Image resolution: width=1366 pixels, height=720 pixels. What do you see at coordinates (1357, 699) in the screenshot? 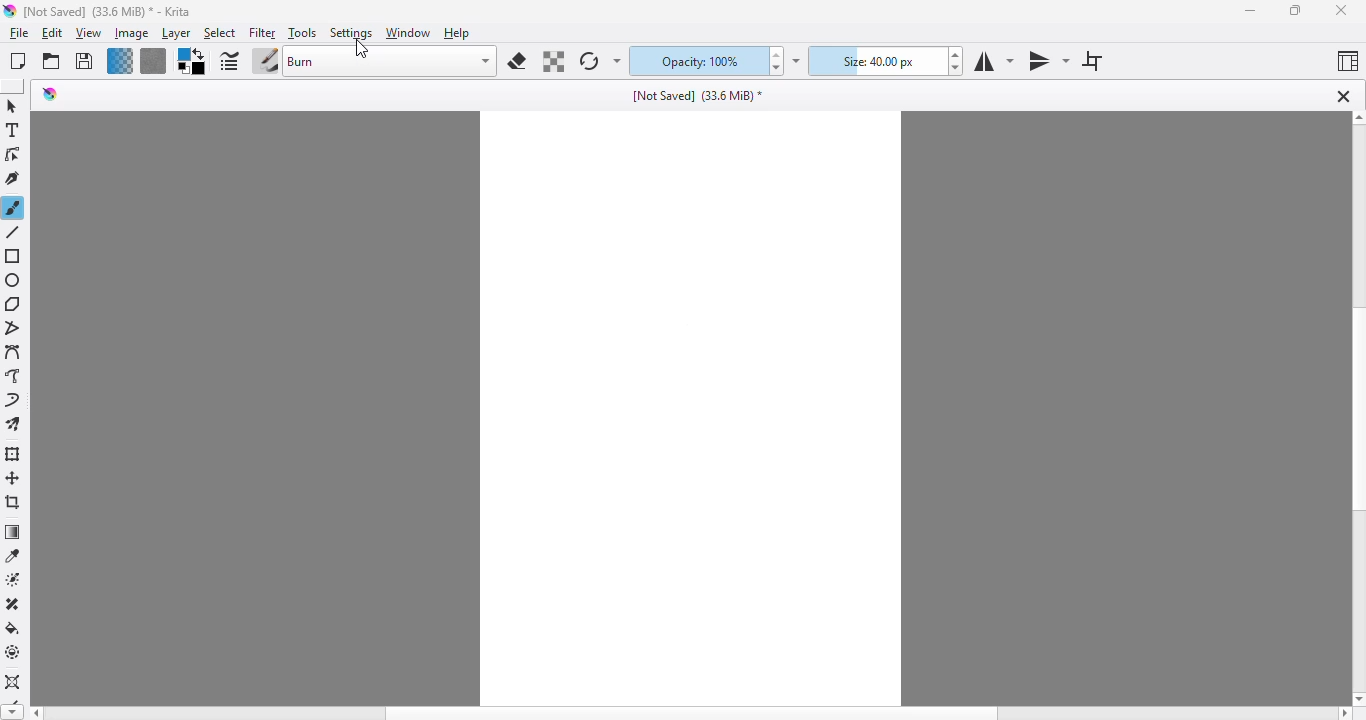
I see `scroll down` at bounding box center [1357, 699].